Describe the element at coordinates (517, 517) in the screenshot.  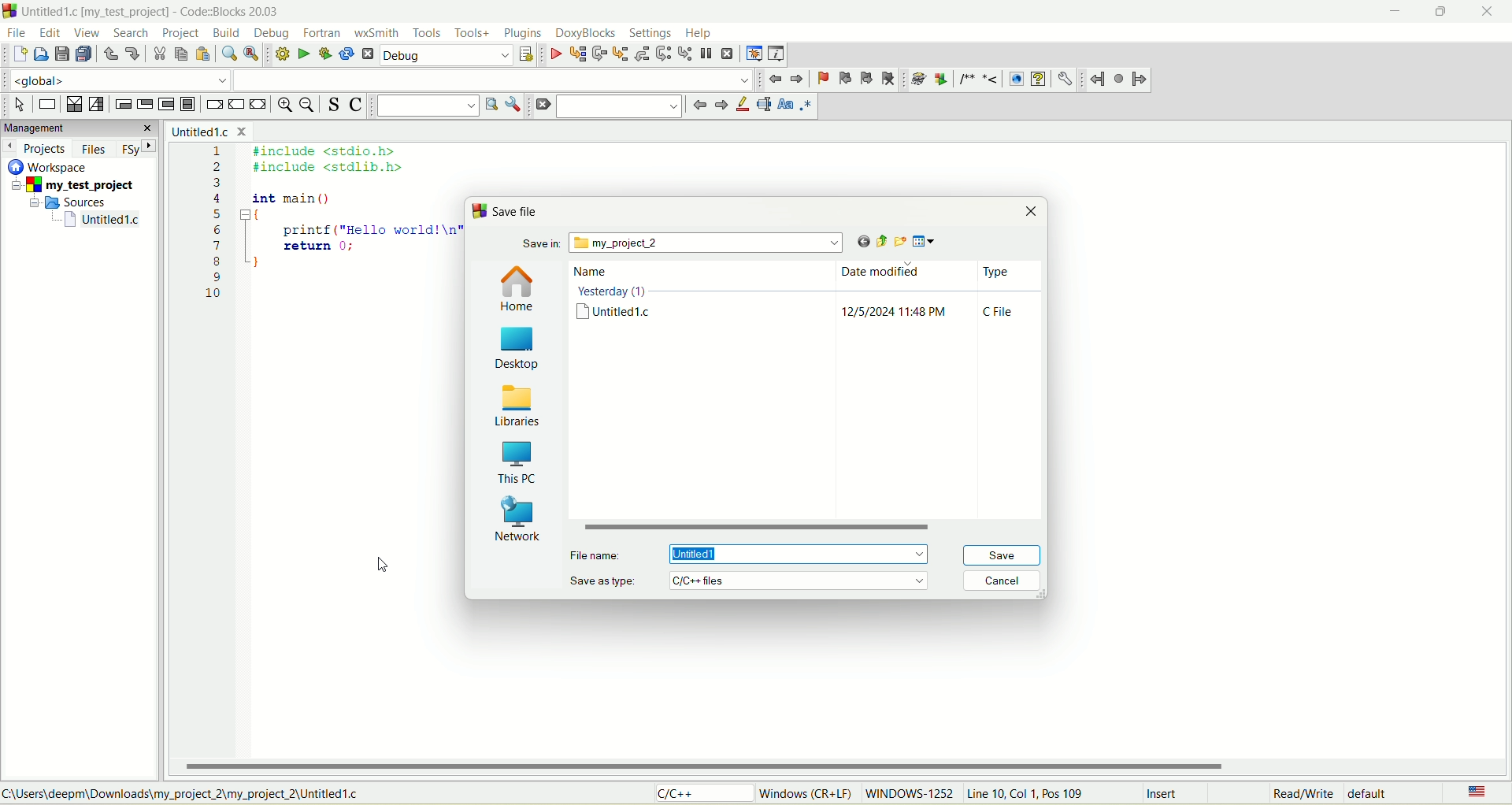
I see `network` at that location.